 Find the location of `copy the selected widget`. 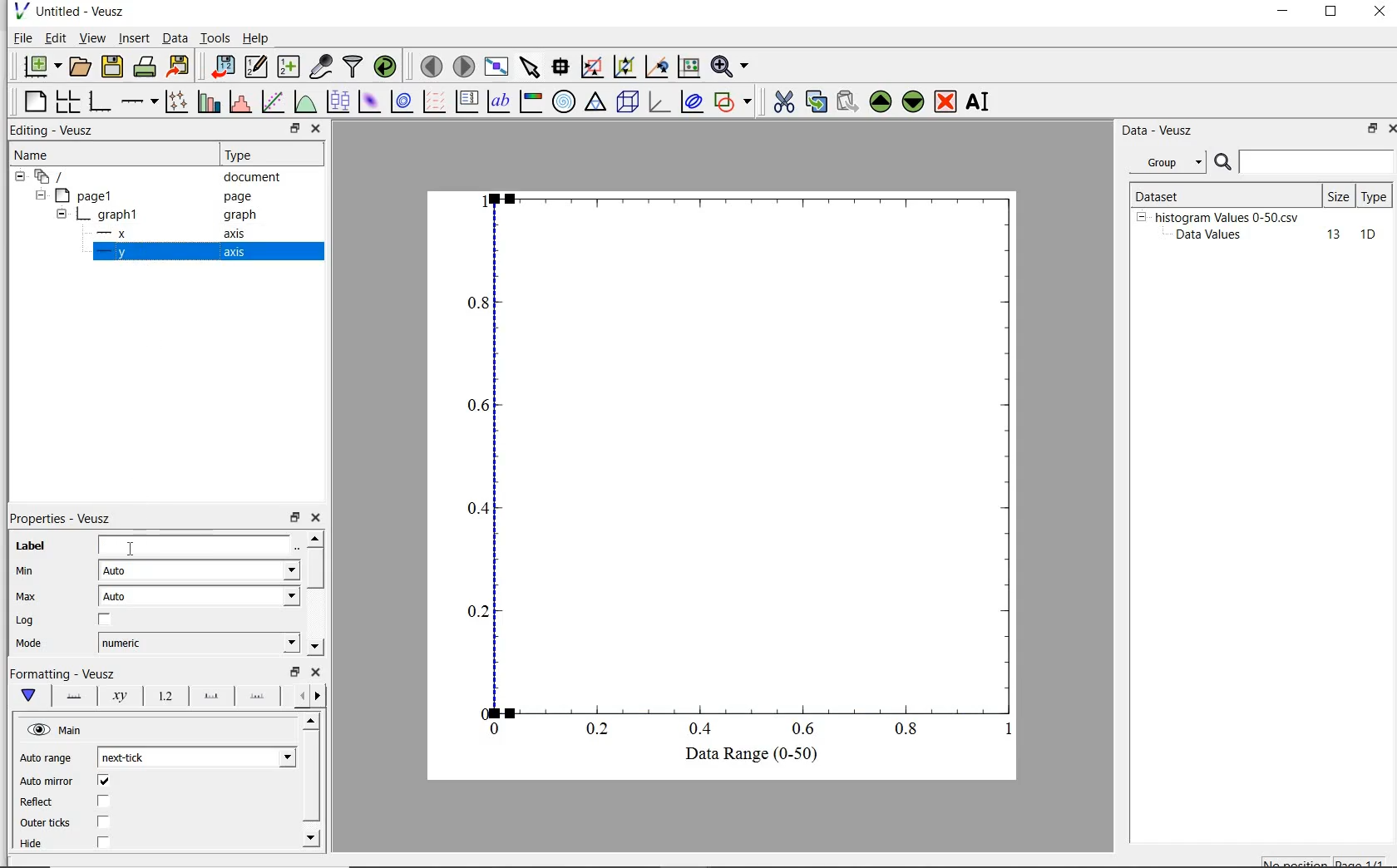

copy the selected widget is located at coordinates (815, 104).